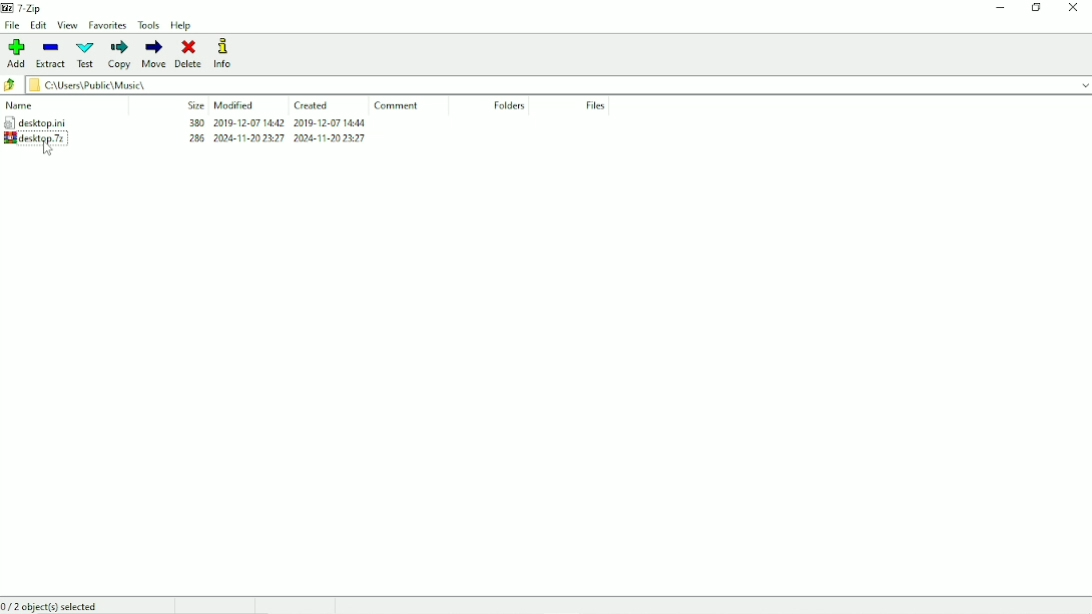 The width and height of the screenshot is (1092, 614). Describe the element at coordinates (51, 54) in the screenshot. I see `Extract` at that location.